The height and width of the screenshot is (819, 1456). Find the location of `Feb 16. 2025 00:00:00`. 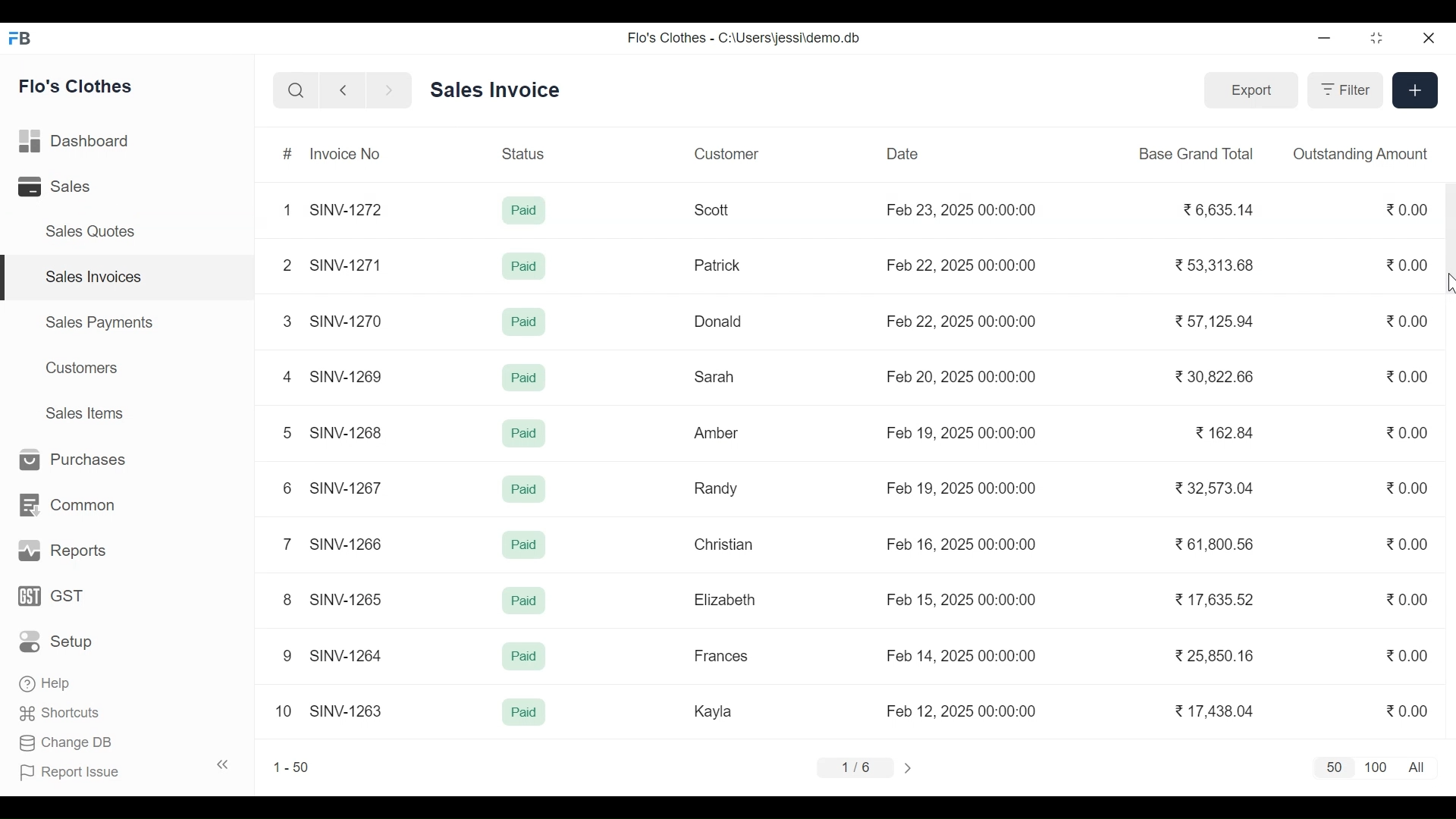

Feb 16. 2025 00:00:00 is located at coordinates (960, 544).